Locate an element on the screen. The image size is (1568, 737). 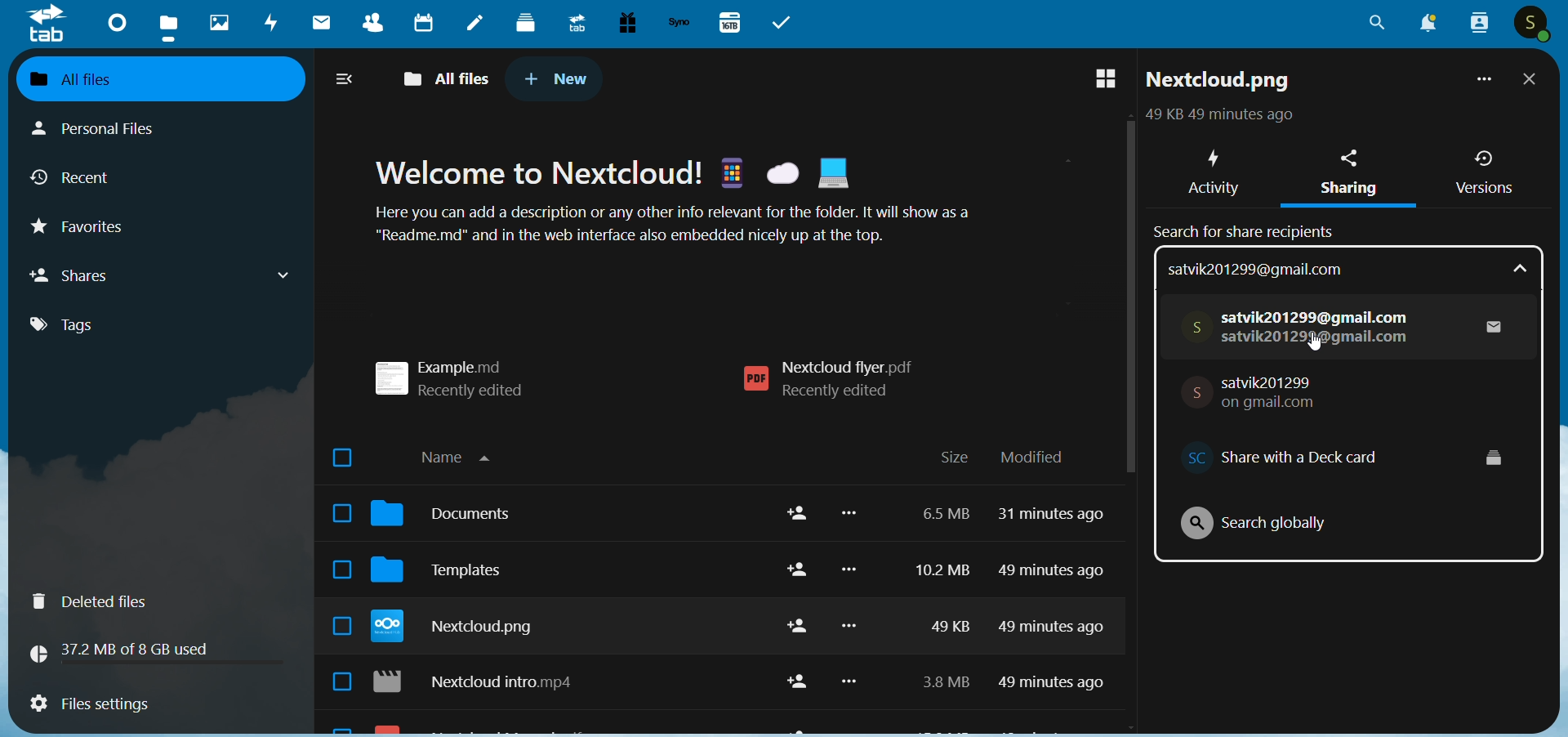
share is located at coordinates (792, 601).